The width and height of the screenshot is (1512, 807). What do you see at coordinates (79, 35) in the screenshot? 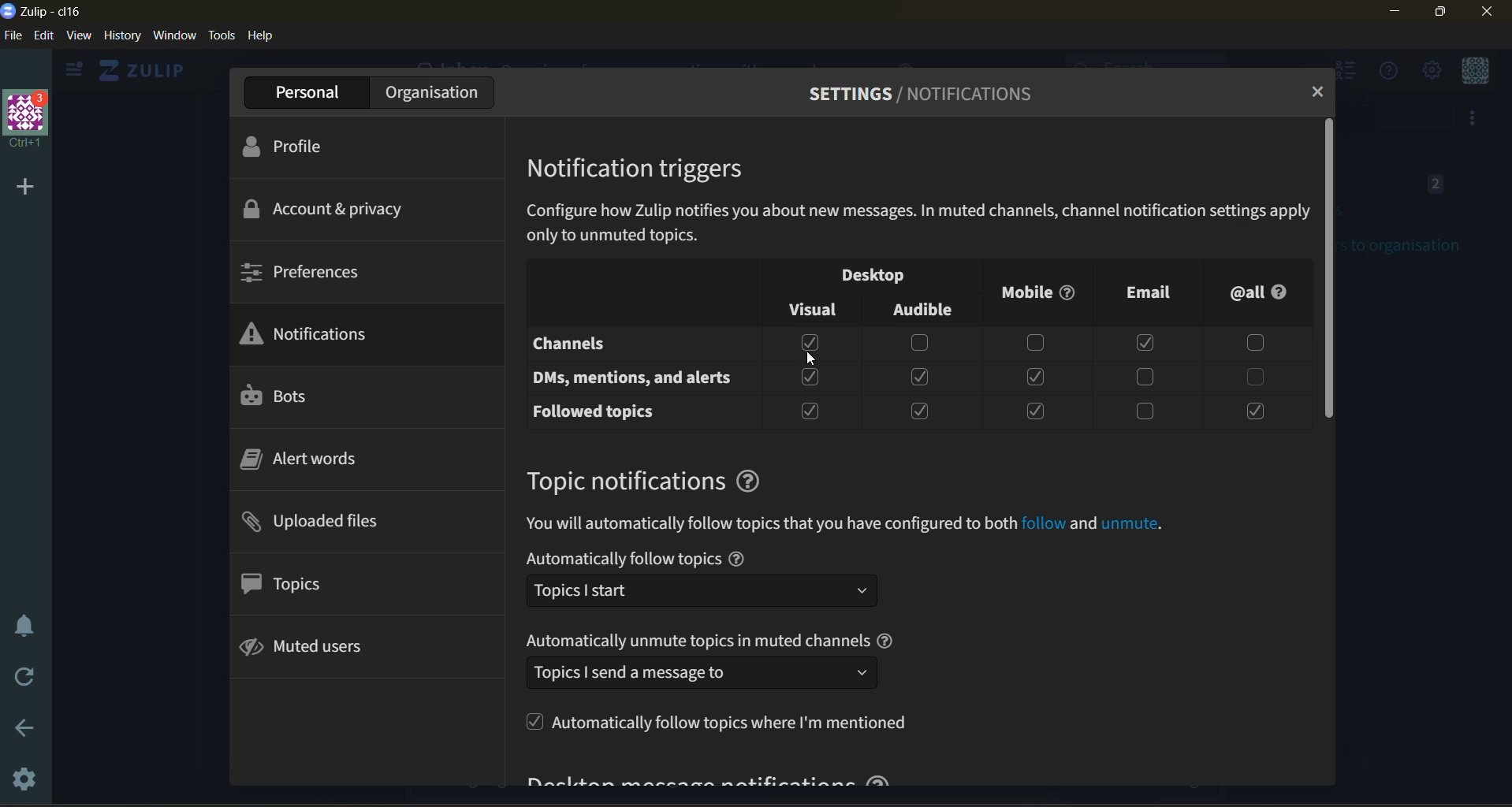
I see `view` at bounding box center [79, 35].